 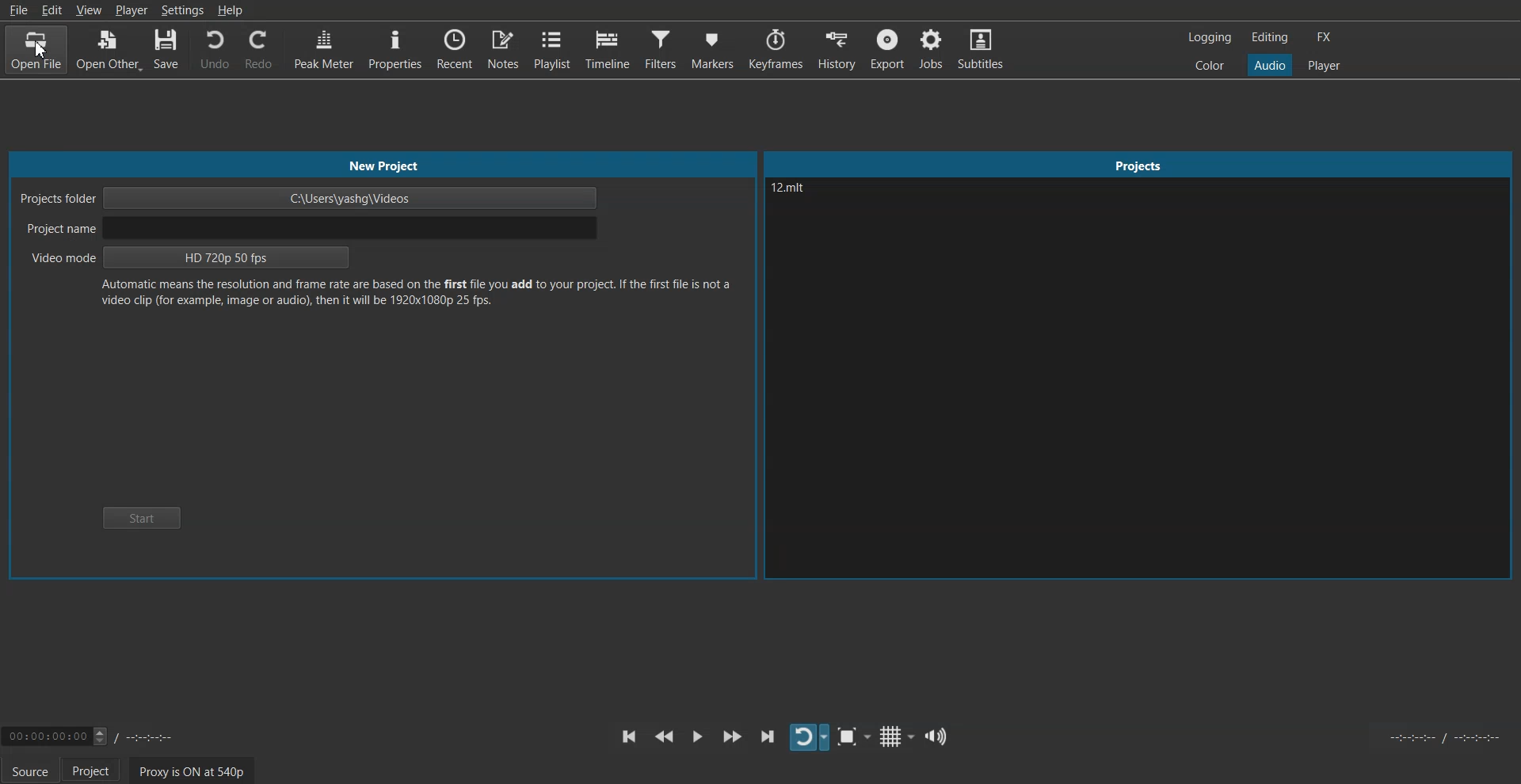 I want to click on Show the volume control, so click(x=937, y=736).